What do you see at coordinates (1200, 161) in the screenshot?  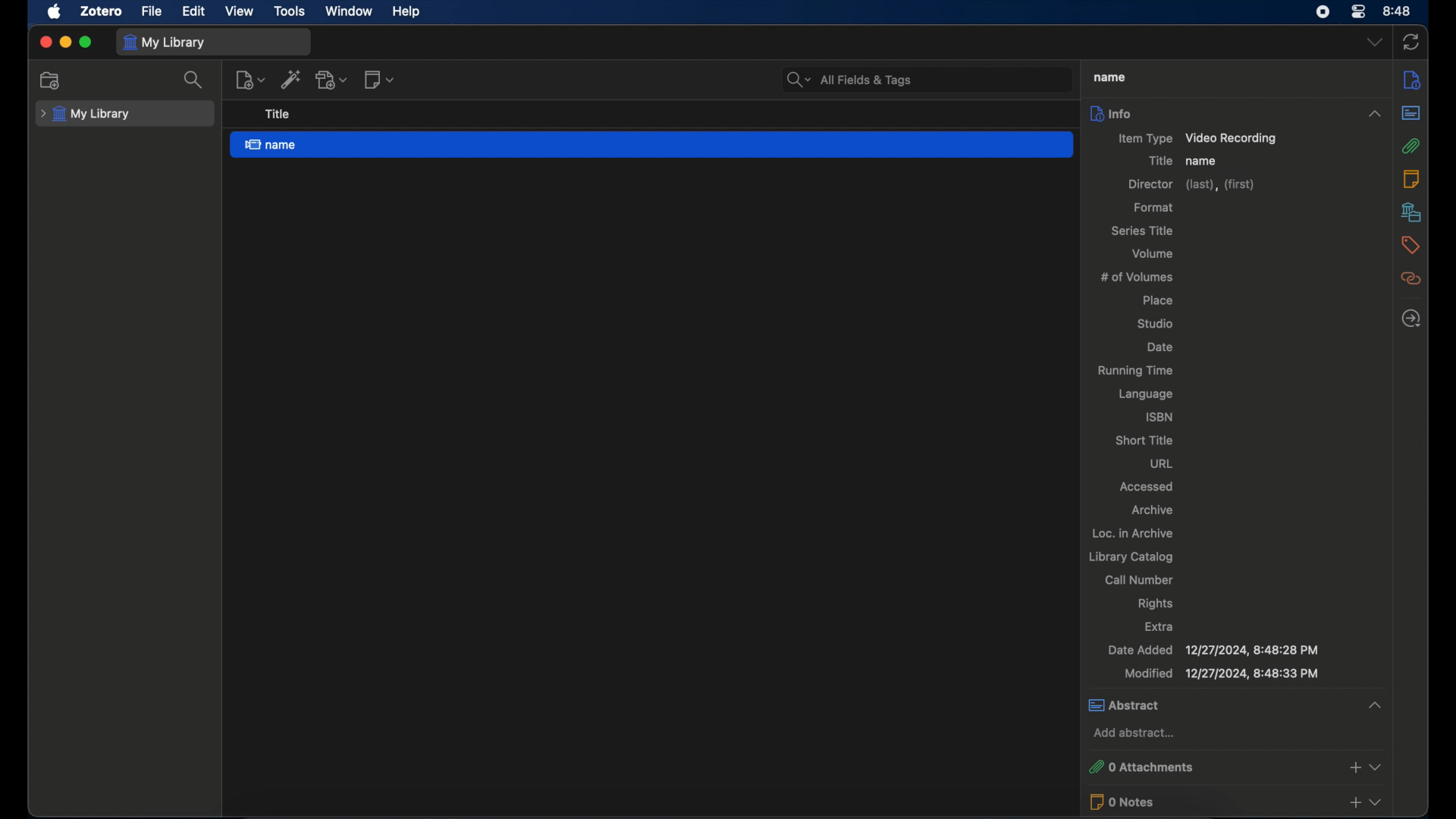 I see `name` at bounding box center [1200, 161].